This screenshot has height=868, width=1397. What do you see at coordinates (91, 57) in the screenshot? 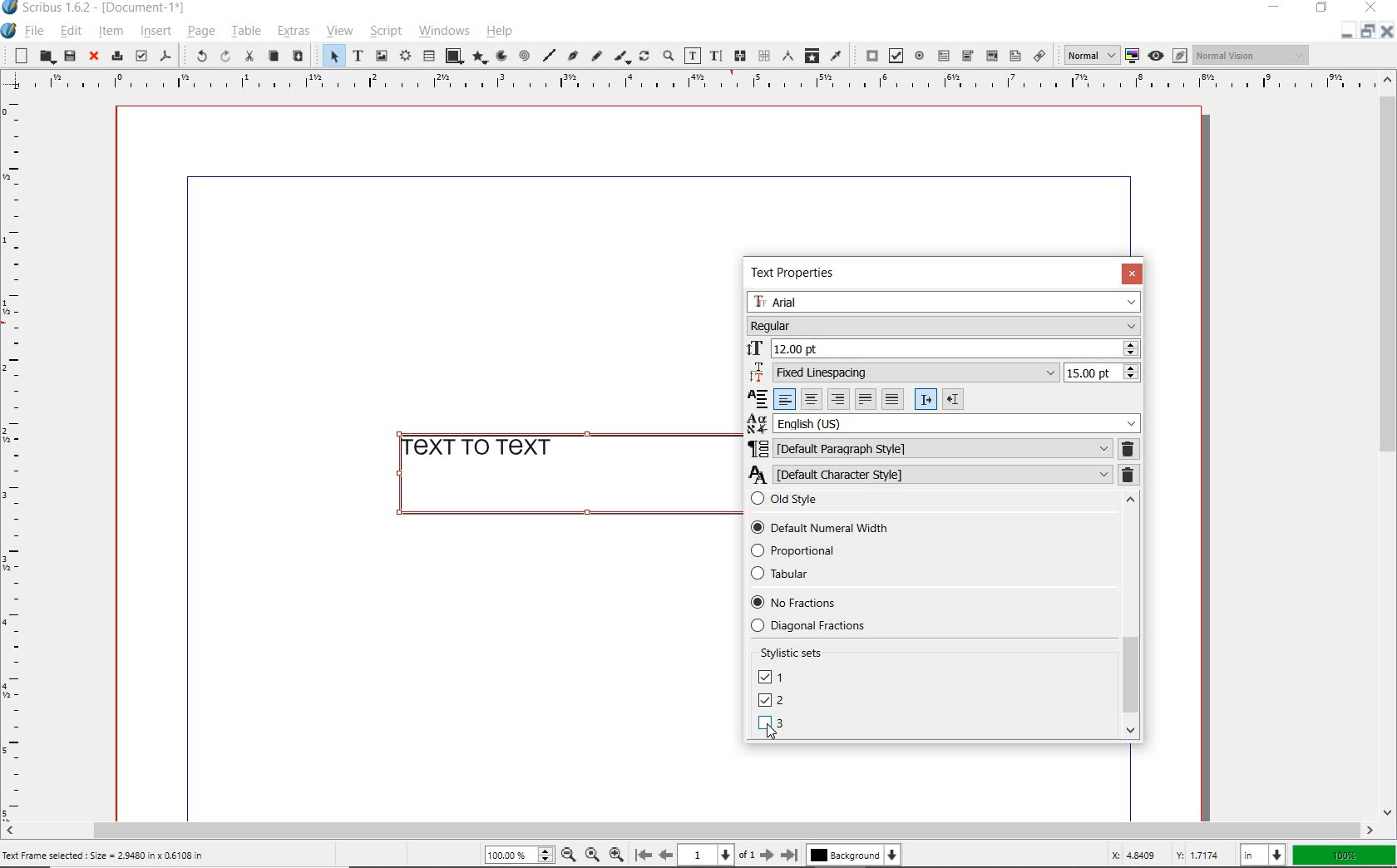
I see `close` at bounding box center [91, 57].